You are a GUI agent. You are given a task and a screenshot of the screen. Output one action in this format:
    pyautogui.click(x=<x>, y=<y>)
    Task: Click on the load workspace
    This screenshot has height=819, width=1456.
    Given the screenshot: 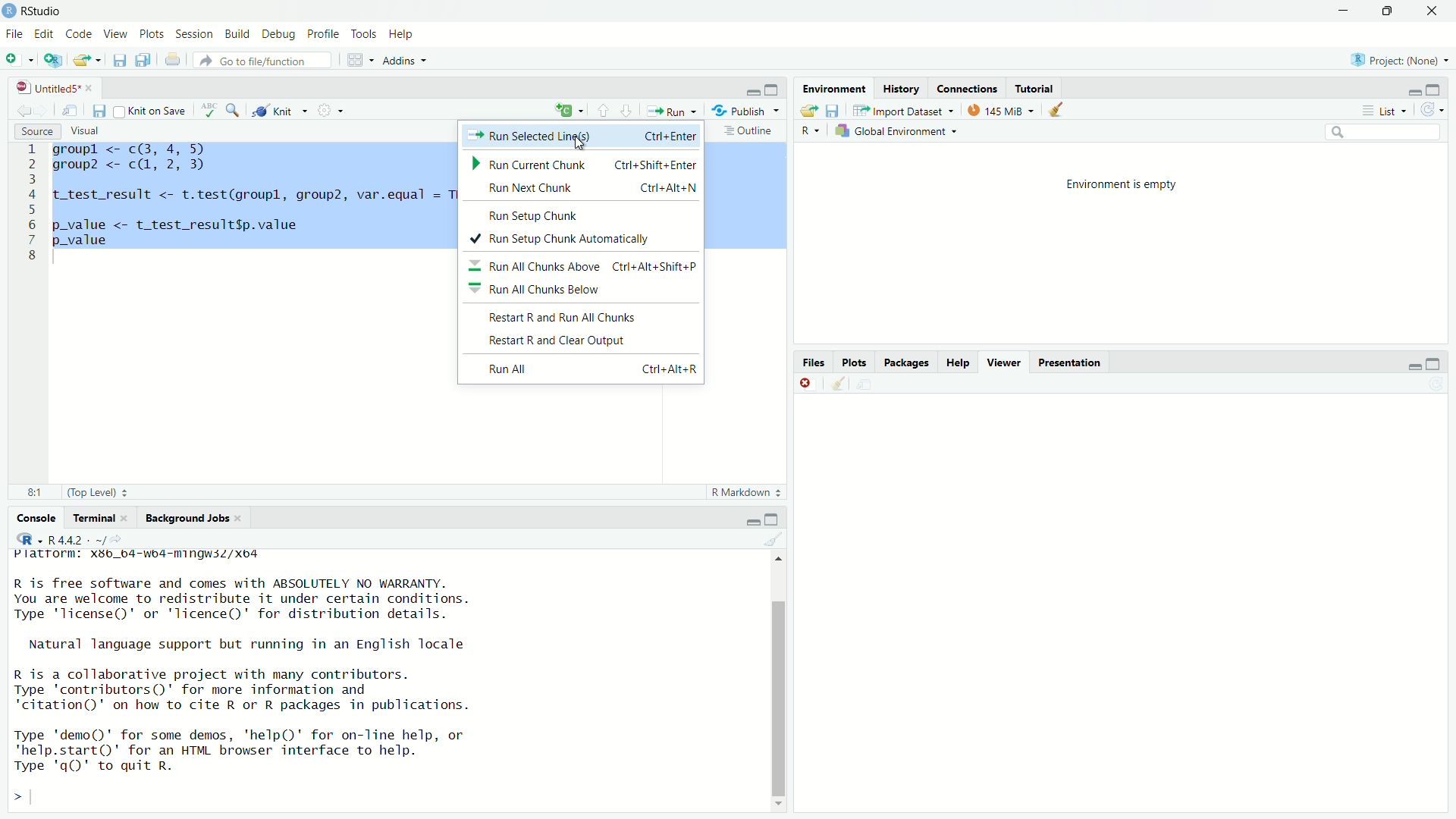 What is the action you would take?
    pyautogui.click(x=808, y=110)
    